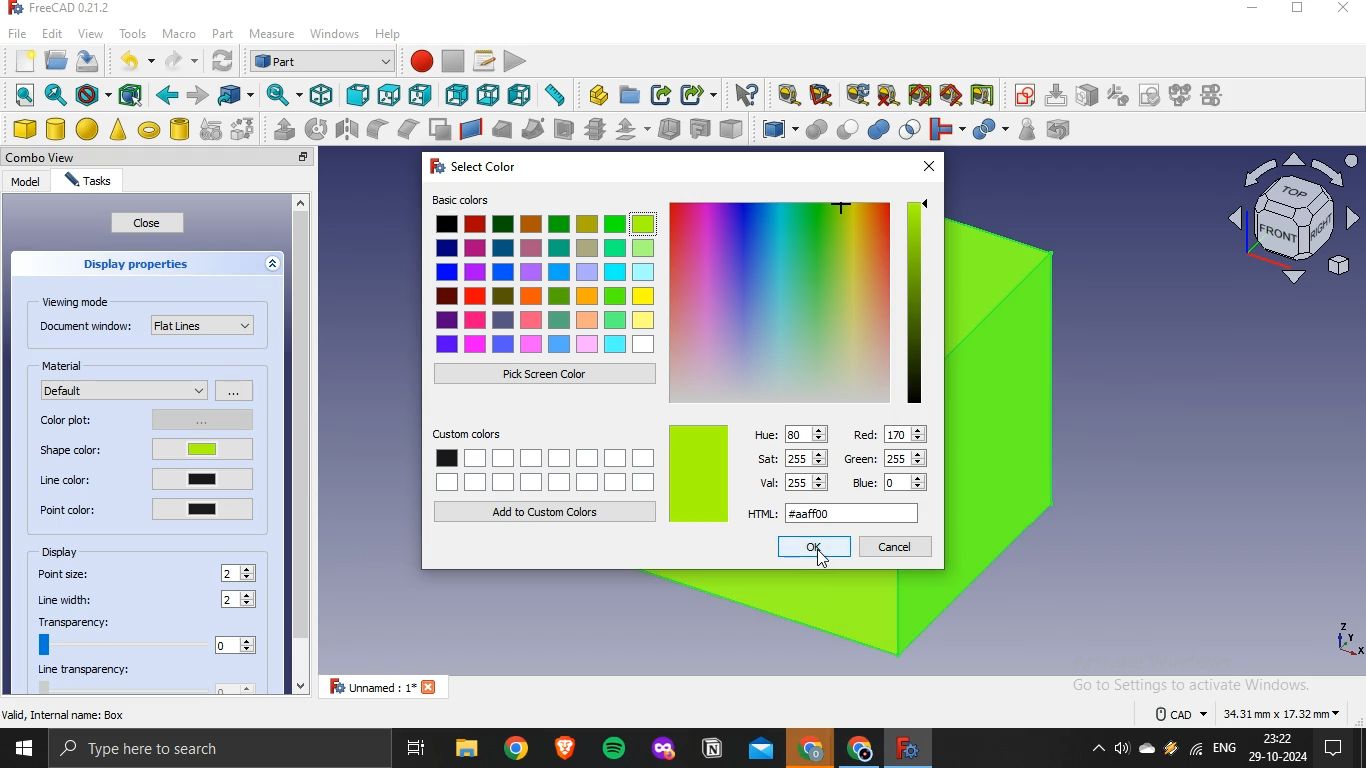 Image resolution: width=1366 pixels, height=768 pixels. Describe the element at coordinates (856, 750) in the screenshot. I see `google chrome` at that location.